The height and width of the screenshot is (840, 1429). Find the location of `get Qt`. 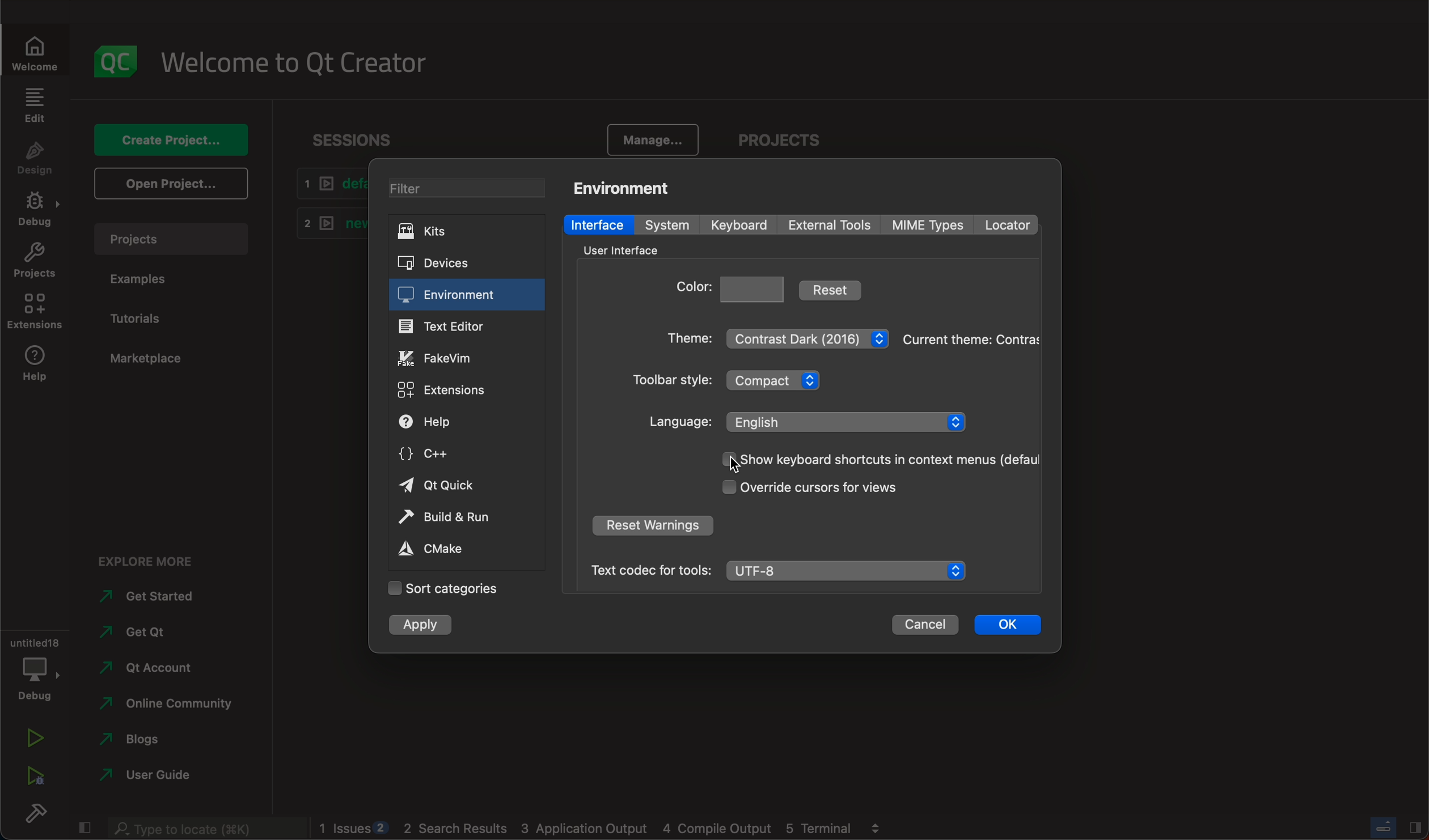

get Qt is located at coordinates (163, 633).